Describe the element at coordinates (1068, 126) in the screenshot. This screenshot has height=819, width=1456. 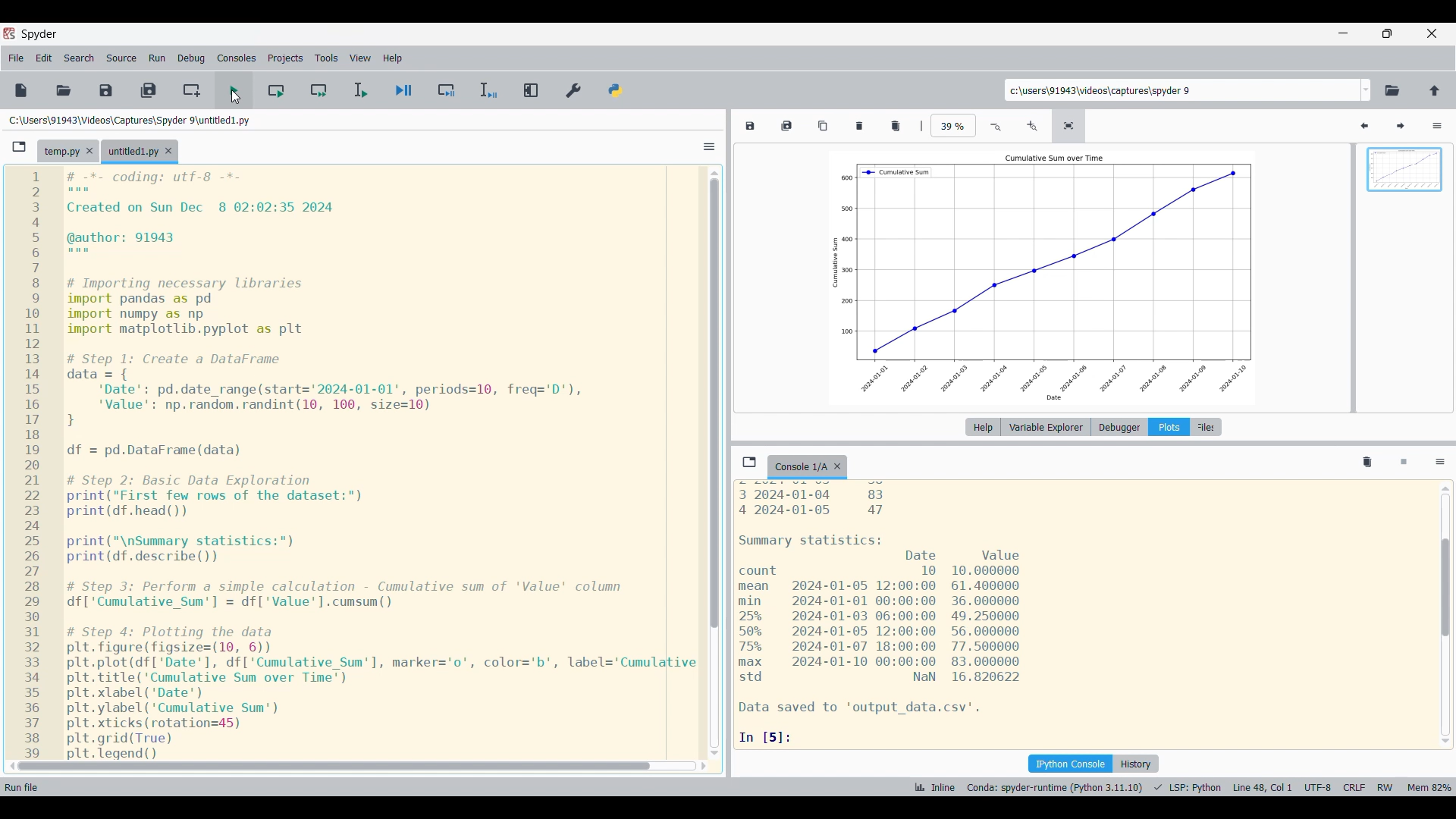
I see `Fit plot to the pane size` at that location.